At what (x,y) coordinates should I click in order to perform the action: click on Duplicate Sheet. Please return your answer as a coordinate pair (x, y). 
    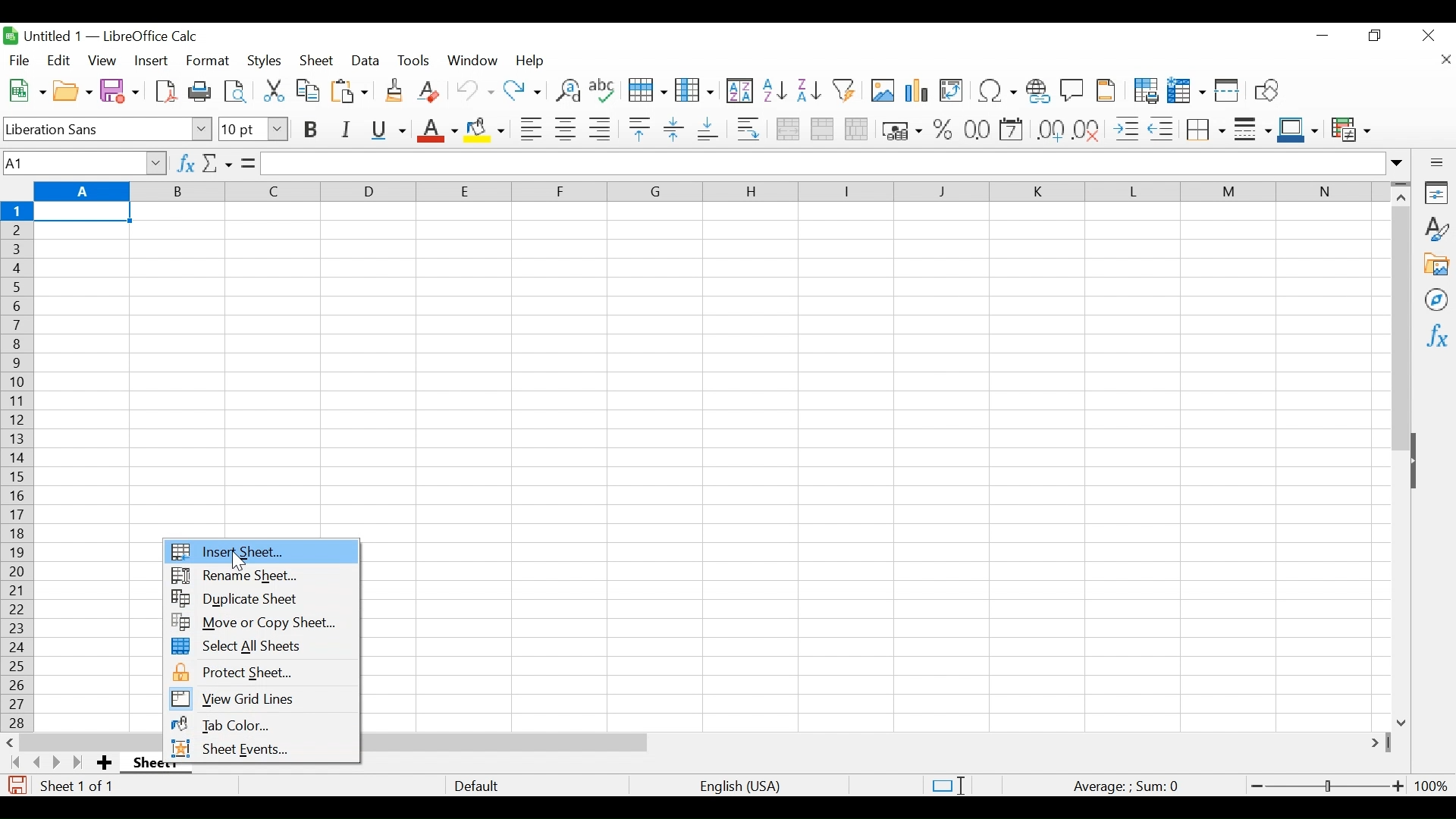
    Looking at the image, I should click on (262, 601).